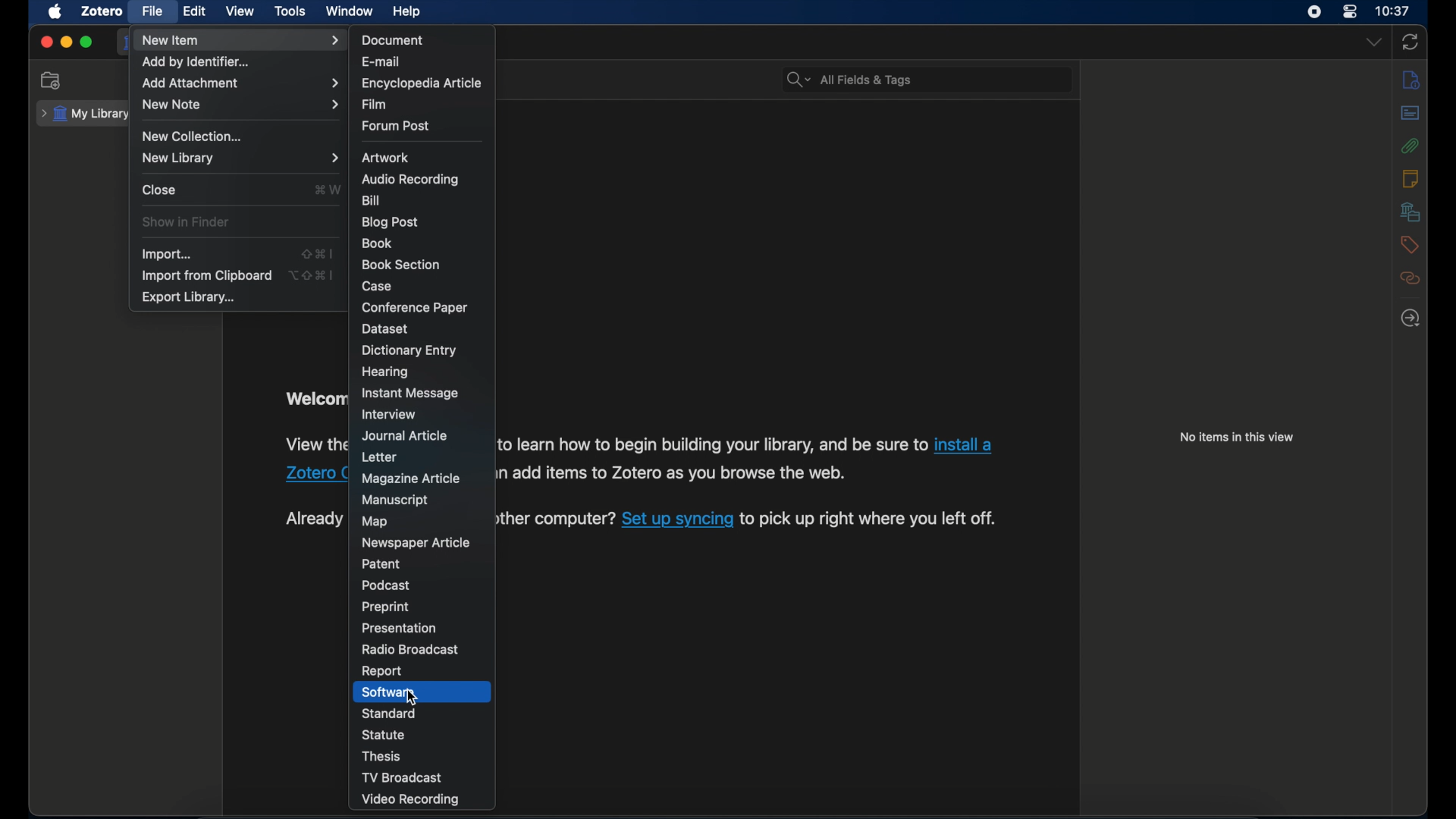 Image resolution: width=1456 pixels, height=819 pixels. Describe the element at coordinates (409, 394) in the screenshot. I see `instant message` at that location.